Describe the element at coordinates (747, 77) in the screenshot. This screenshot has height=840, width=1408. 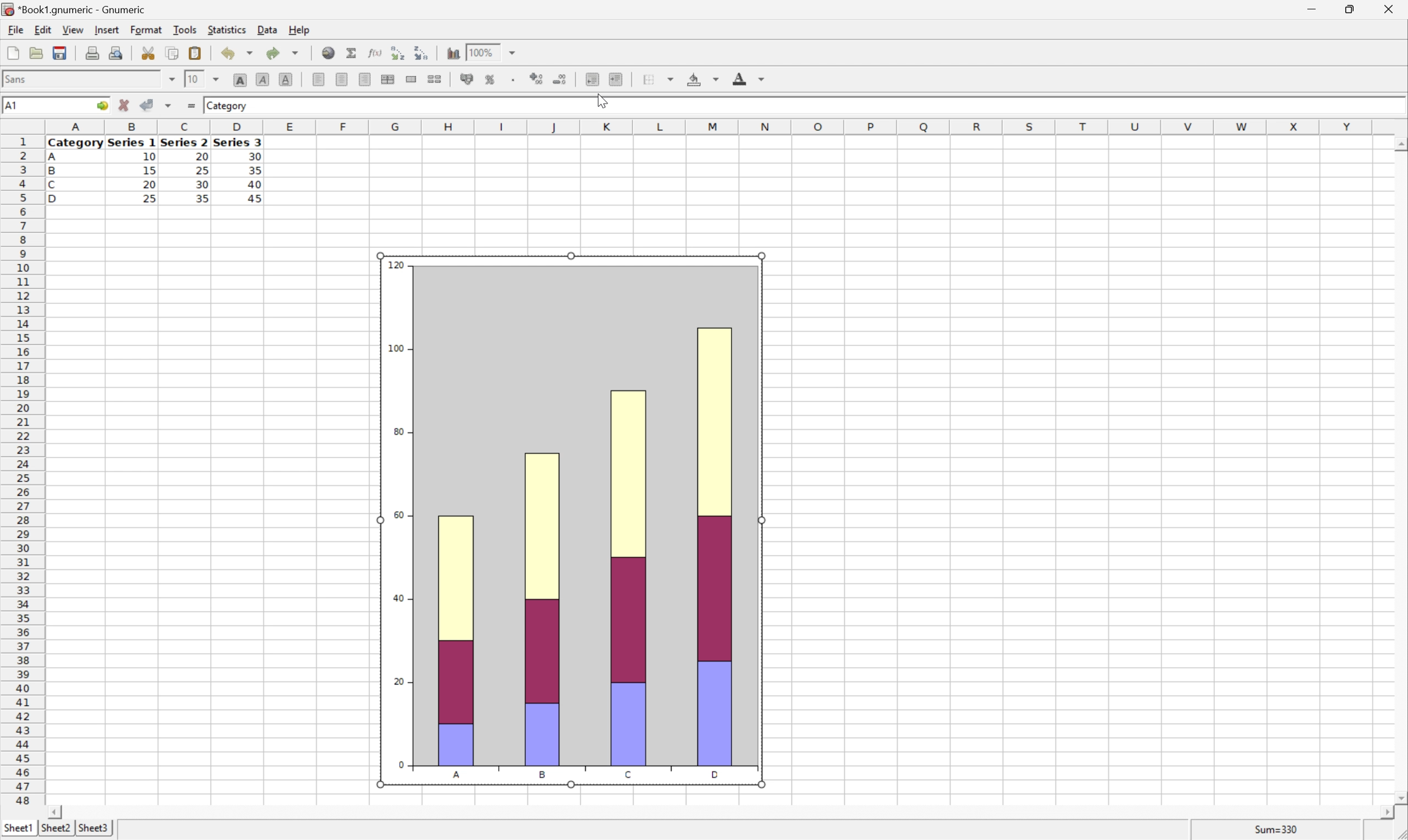
I see `Foreground` at that location.